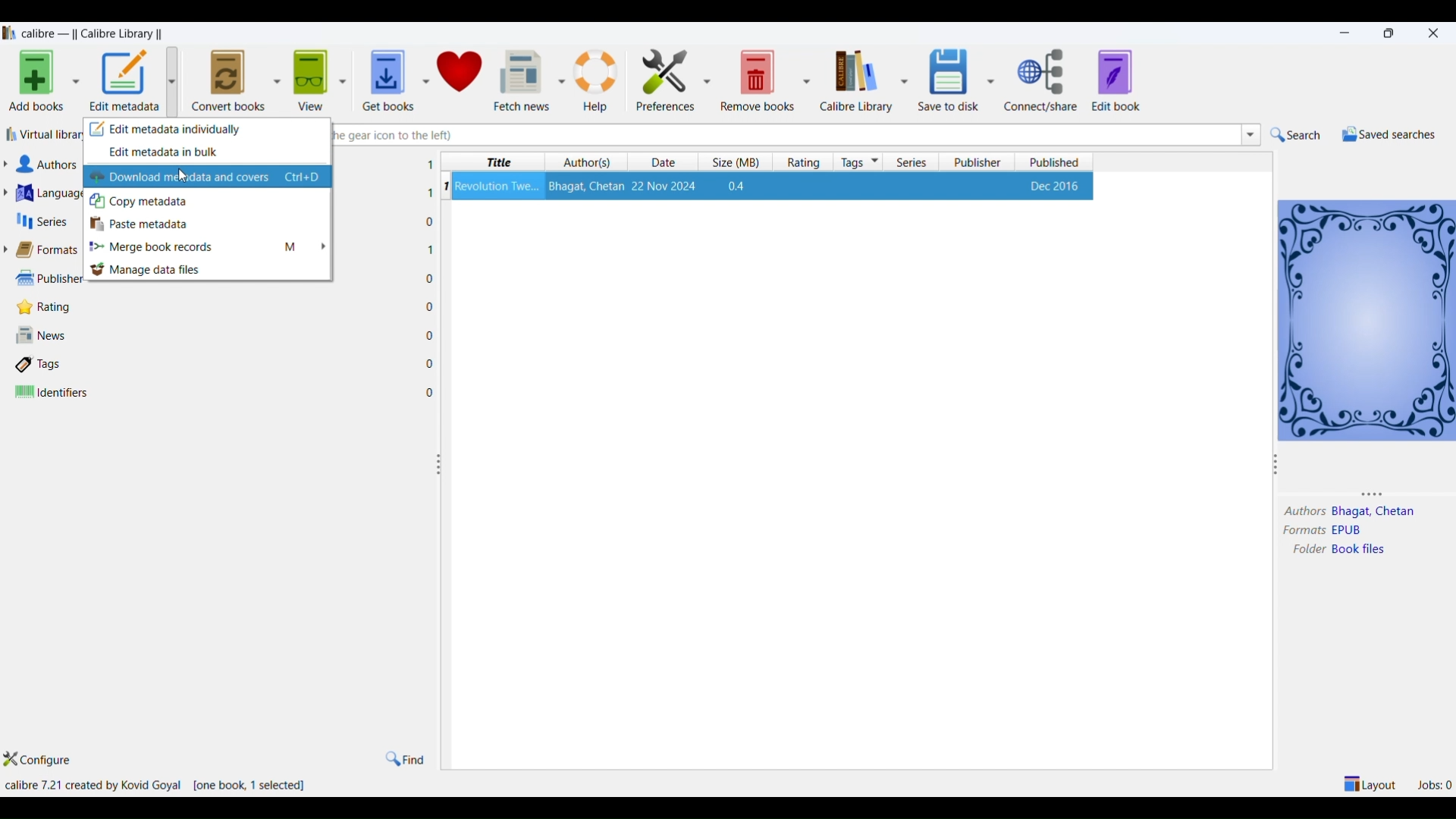 The image size is (1456, 819). Describe the element at coordinates (425, 73) in the screenshot. I see `get books options dropdown button` at that location.